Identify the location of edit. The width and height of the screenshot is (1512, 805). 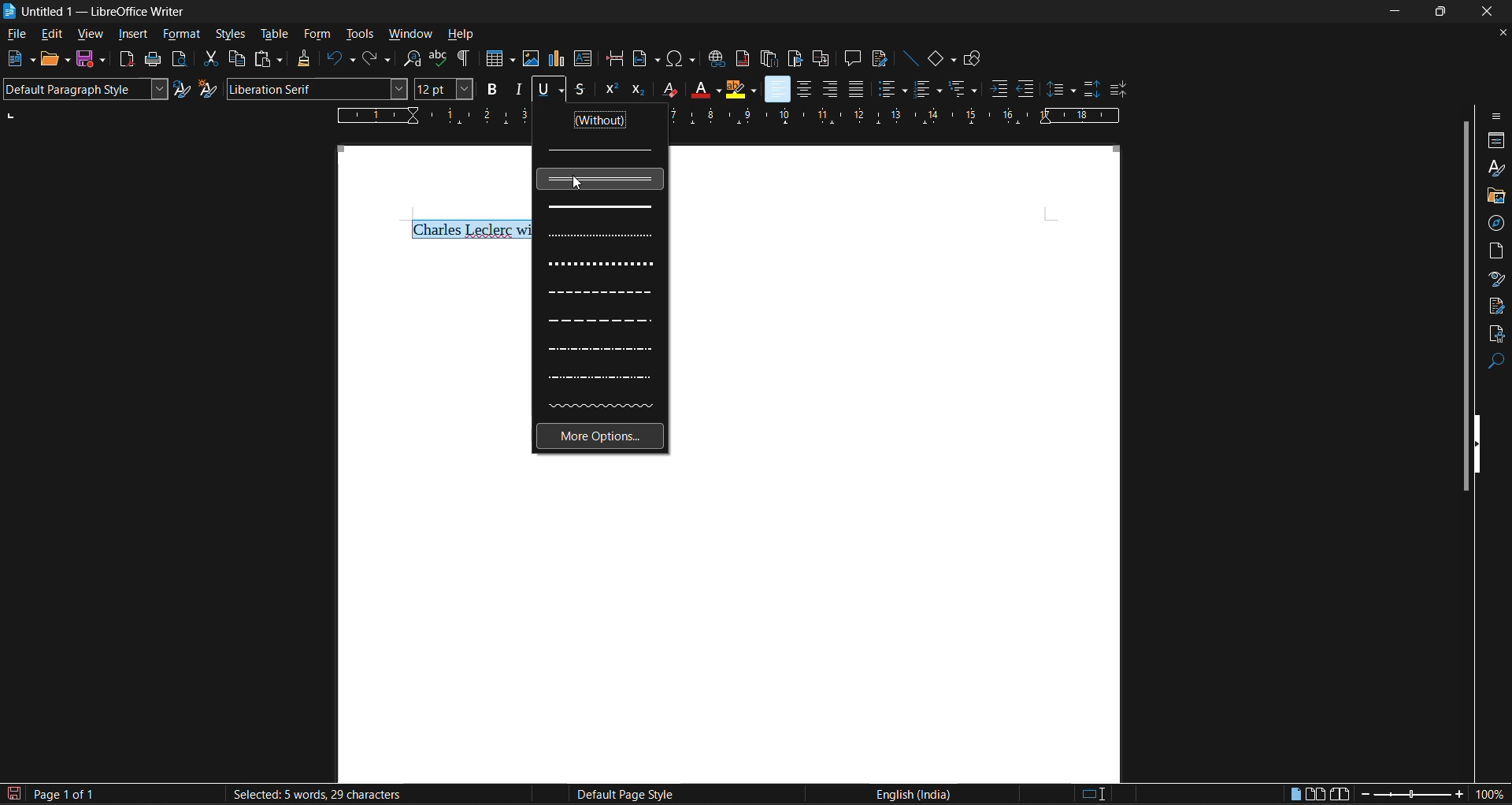
(50, 35).